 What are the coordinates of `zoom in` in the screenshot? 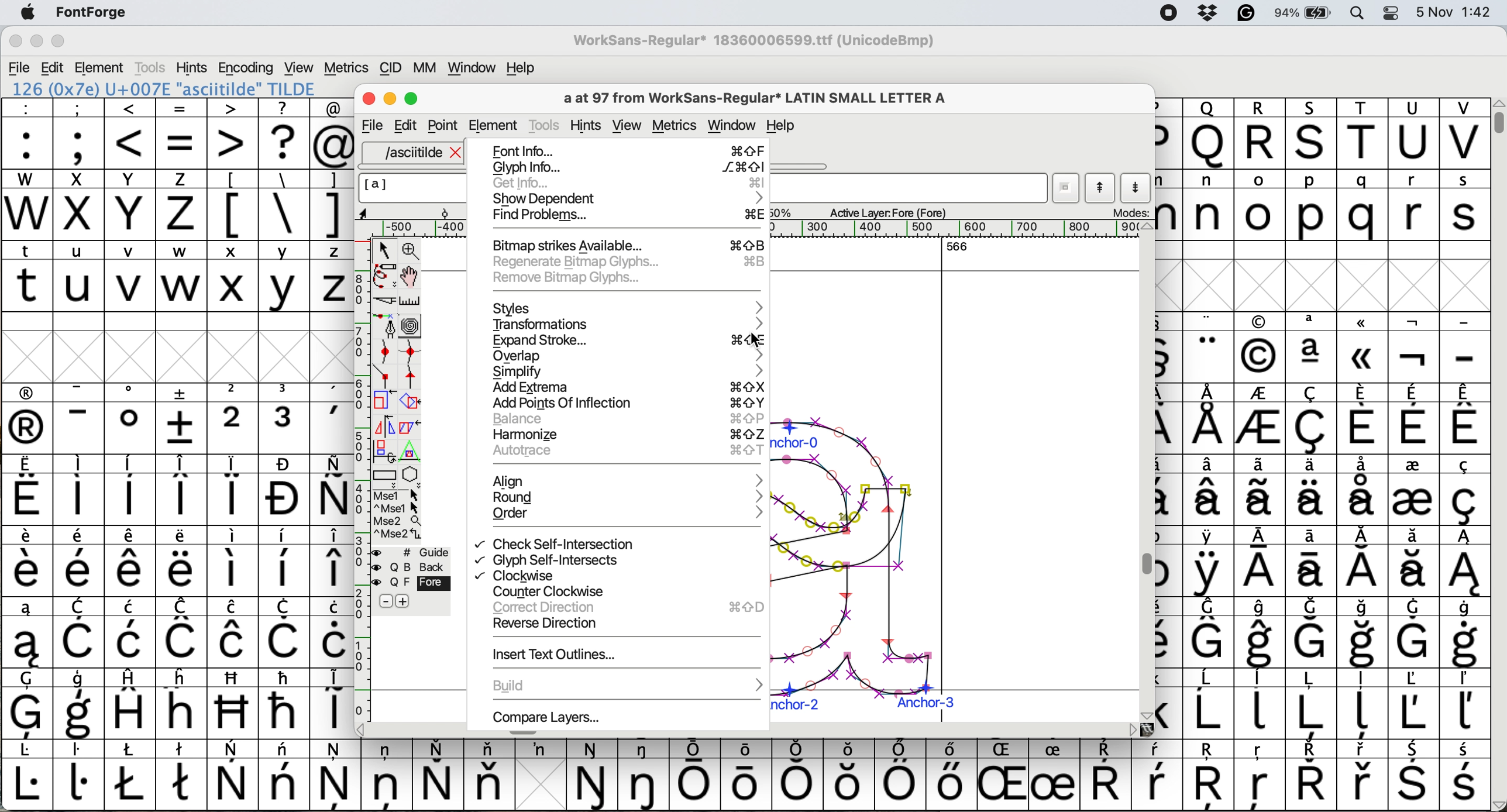 It's located at (413, 252).